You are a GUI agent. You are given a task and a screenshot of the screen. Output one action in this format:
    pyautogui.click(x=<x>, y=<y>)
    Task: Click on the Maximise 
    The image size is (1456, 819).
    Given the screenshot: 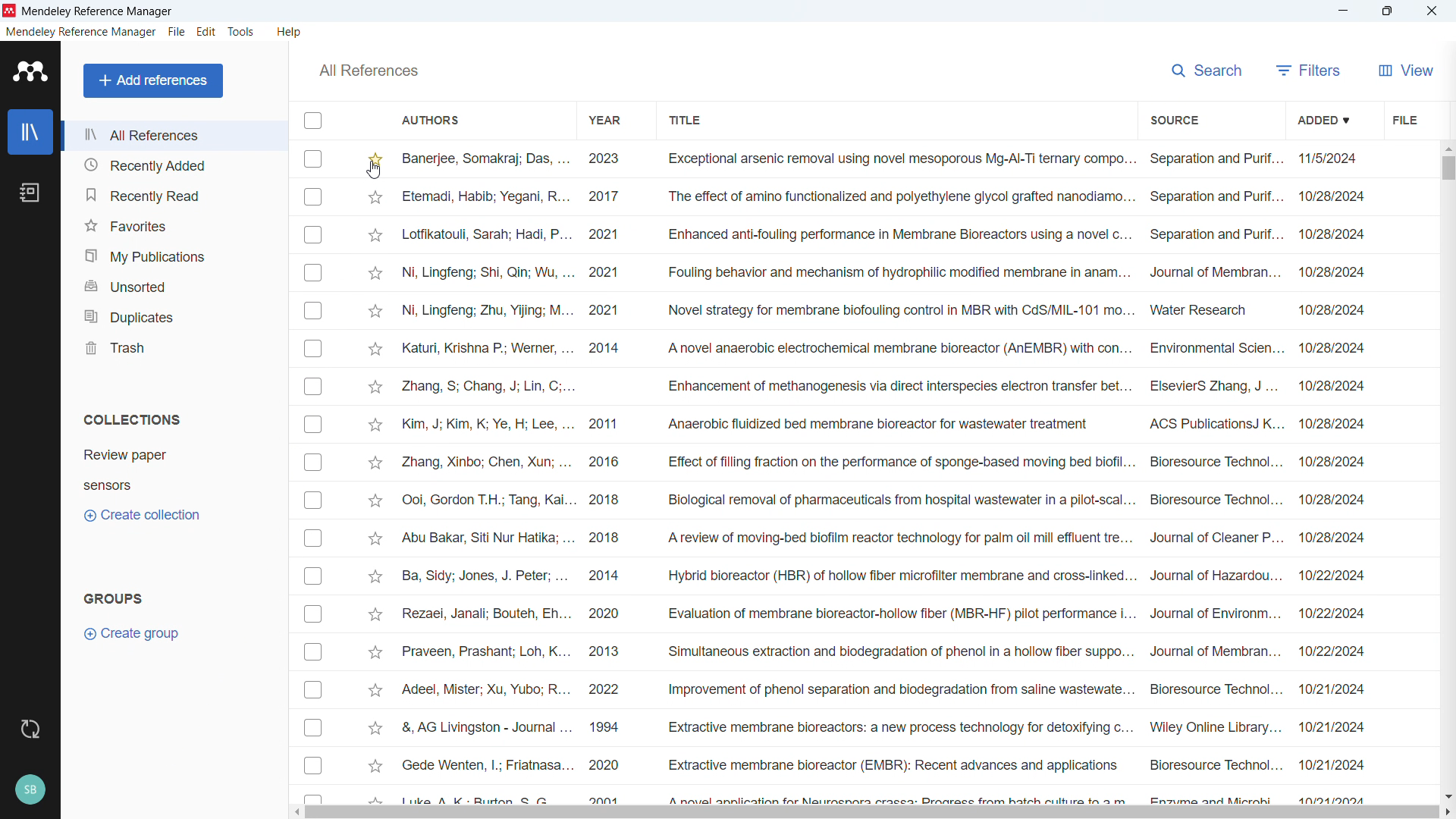 What is the action you would take?
    pyautogui.click(x=1387, y=11)
    